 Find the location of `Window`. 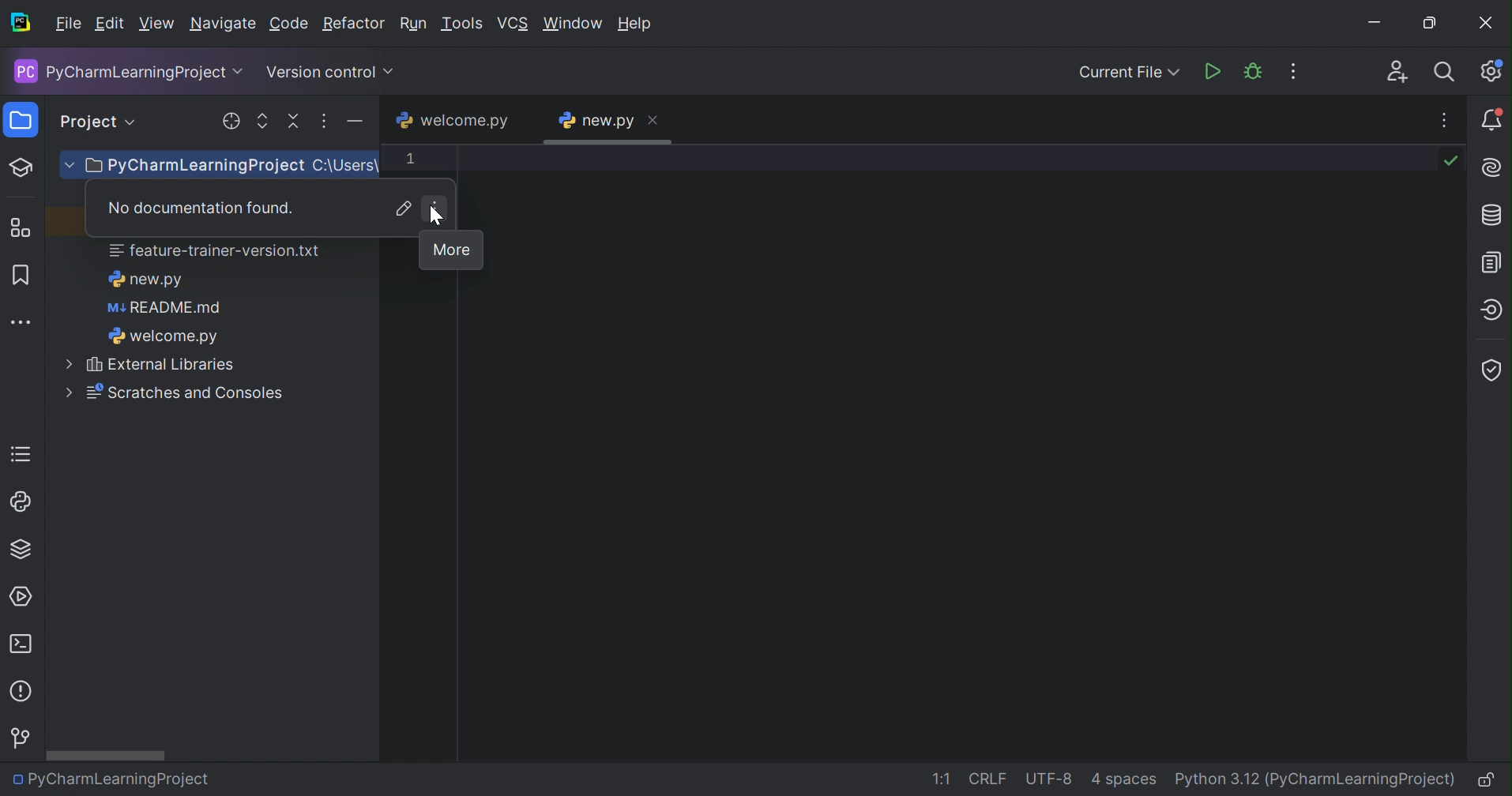

Window is located at coordinates (573, 22).